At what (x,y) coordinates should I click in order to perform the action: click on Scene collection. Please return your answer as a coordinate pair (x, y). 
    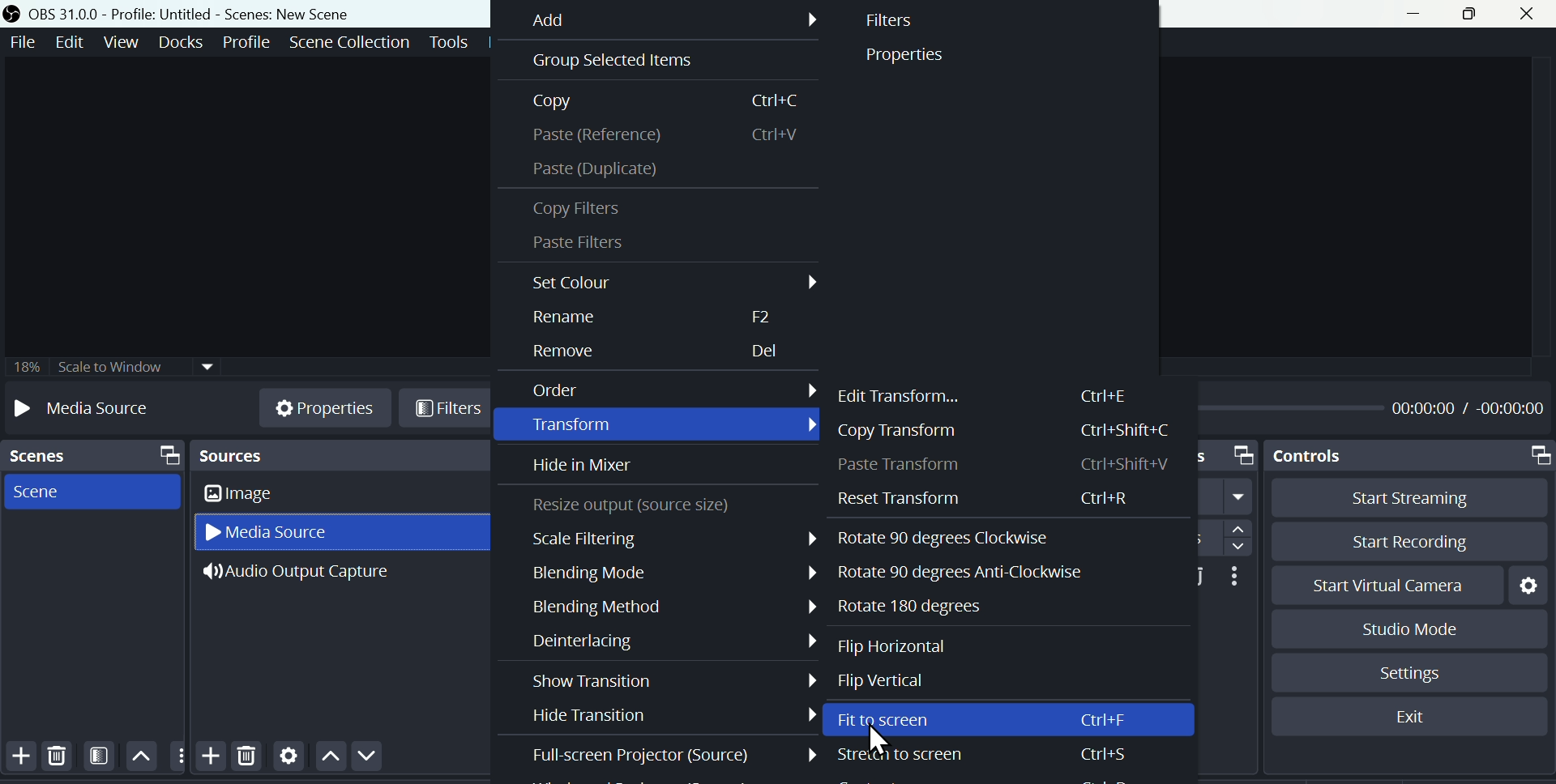
    Looking at the image, I should click on (348, 40).